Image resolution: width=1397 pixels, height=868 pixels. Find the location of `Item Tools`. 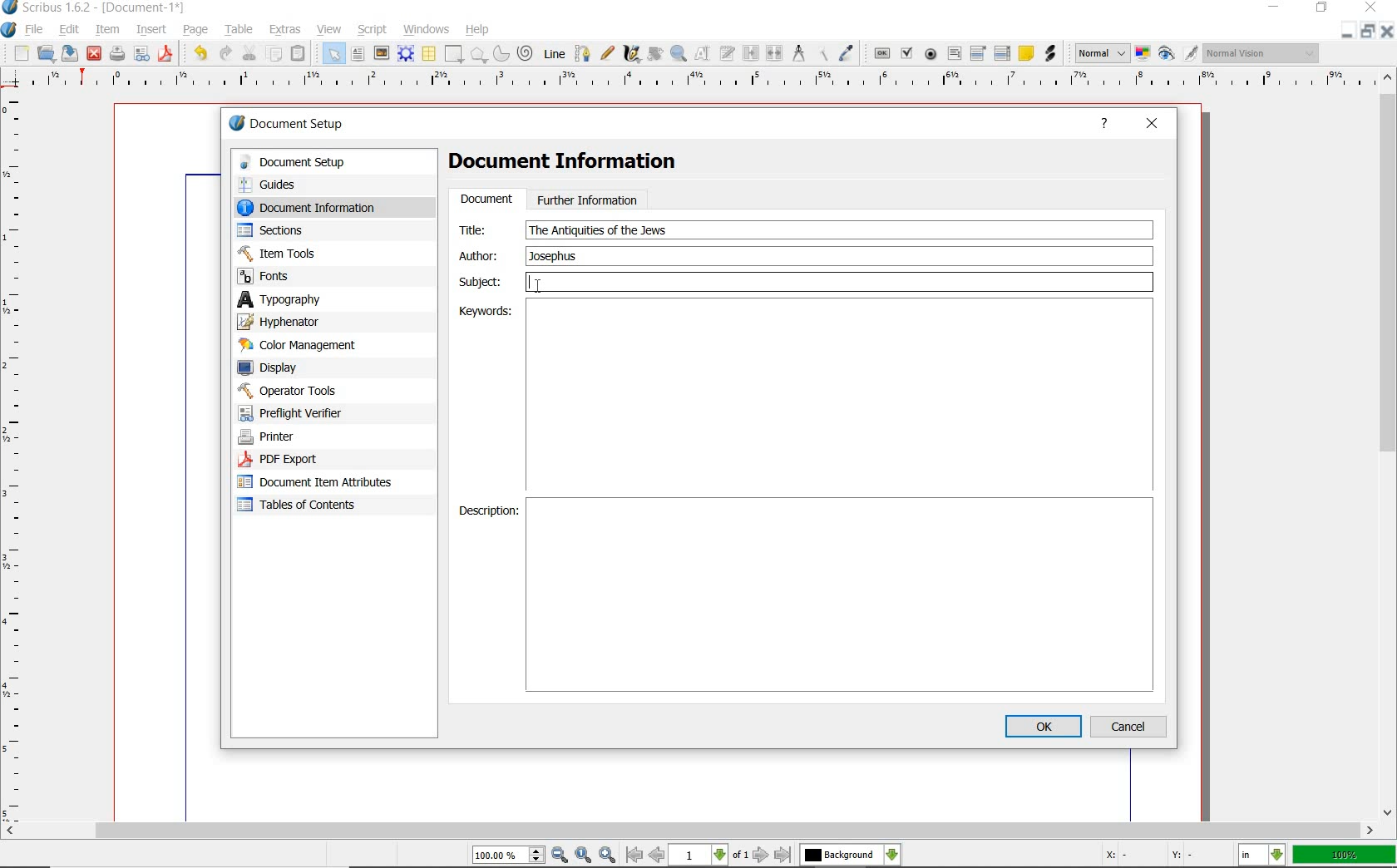

Item Tools is located at coordinates (315, 253).